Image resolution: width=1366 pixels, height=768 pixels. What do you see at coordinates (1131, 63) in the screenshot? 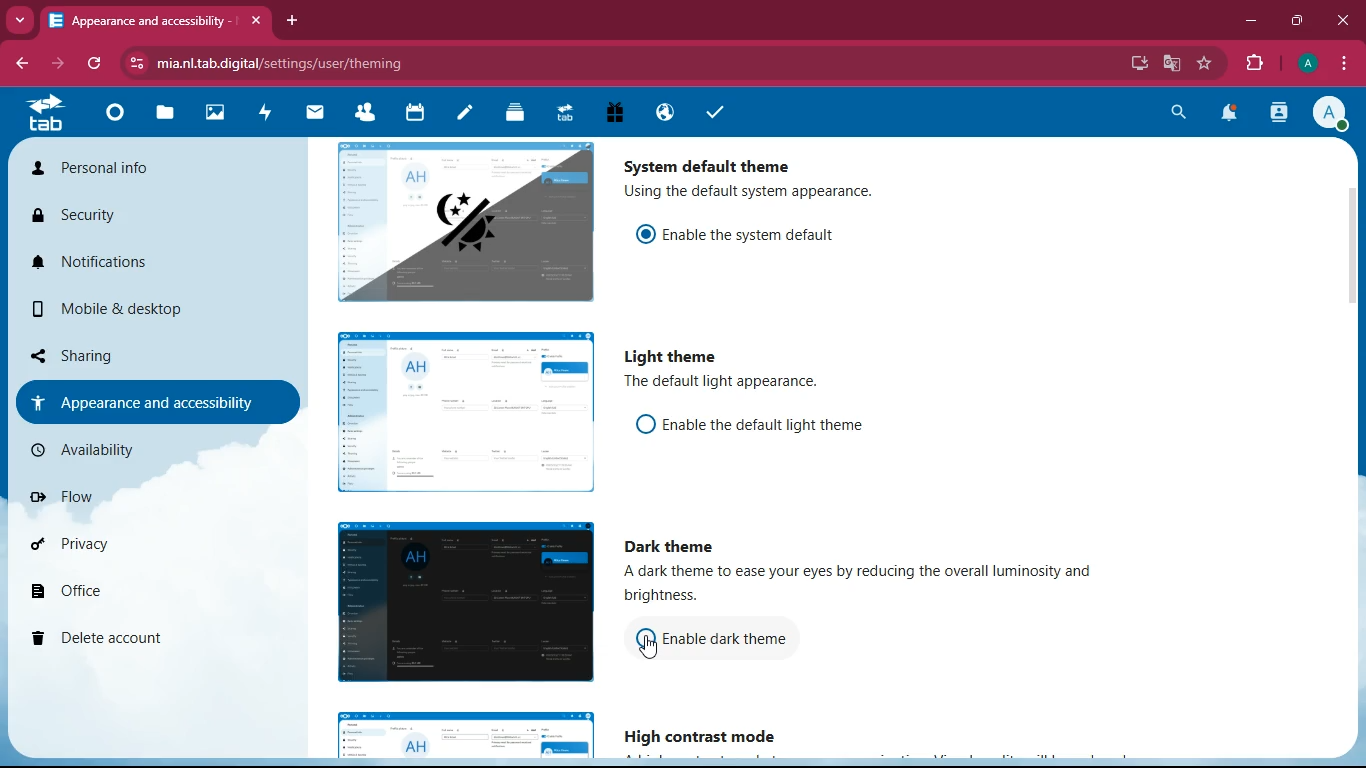
I see `desktop` at bounding box center [1131, 63].